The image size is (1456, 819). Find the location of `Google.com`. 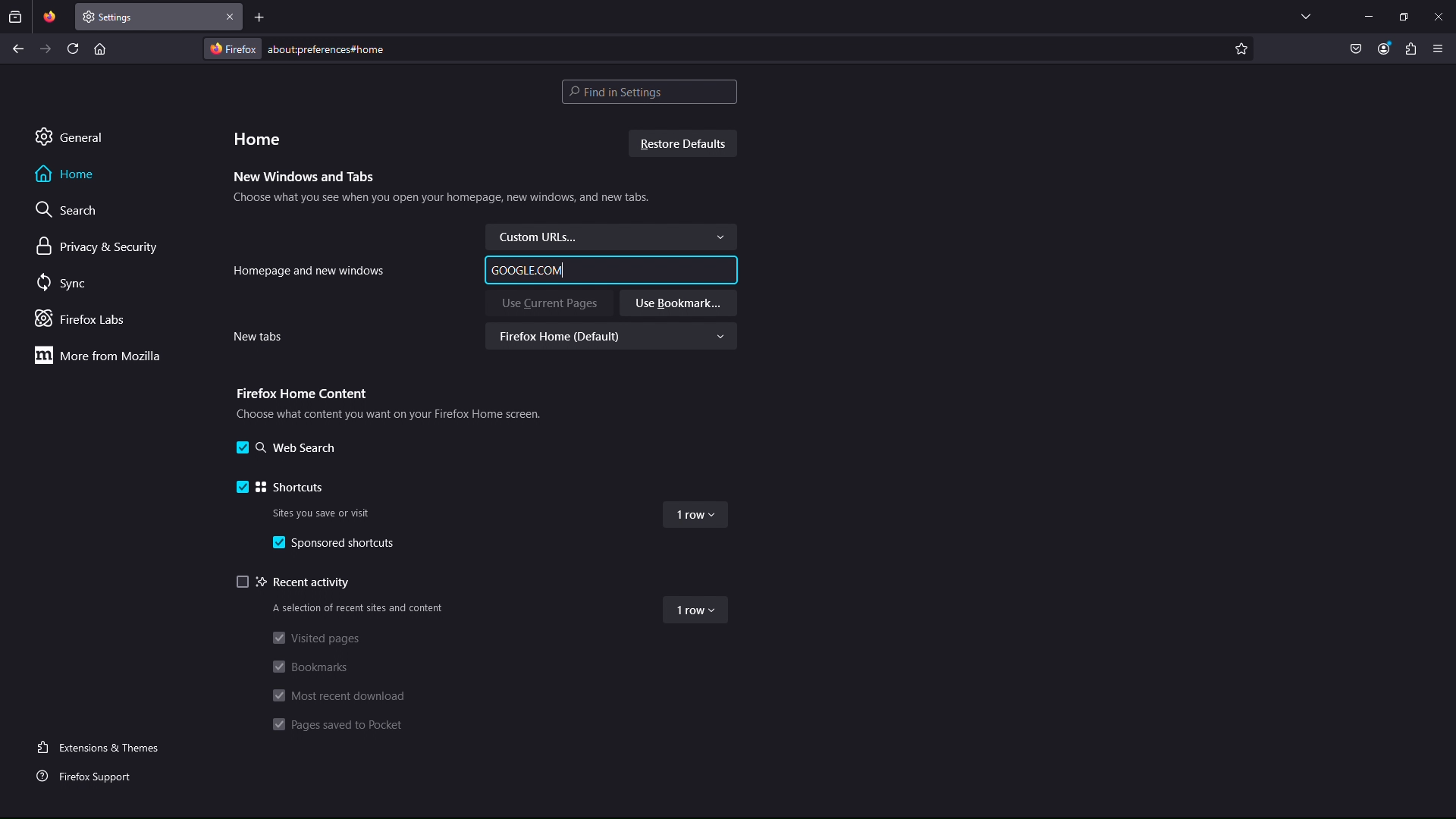

Google.com is located at coordinates (524, 270).